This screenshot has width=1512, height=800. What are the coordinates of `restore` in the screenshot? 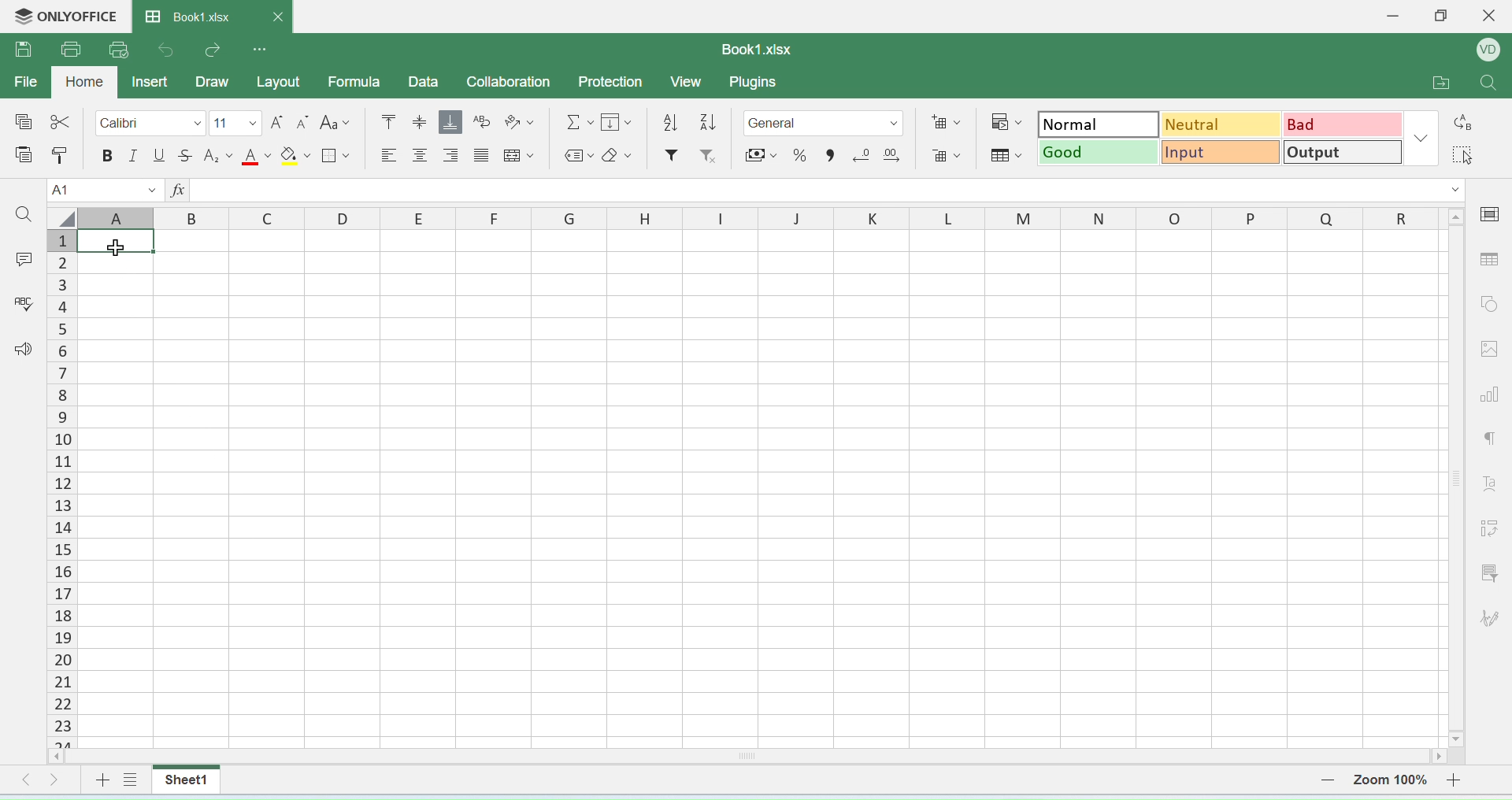 It's located at (1441, 18).